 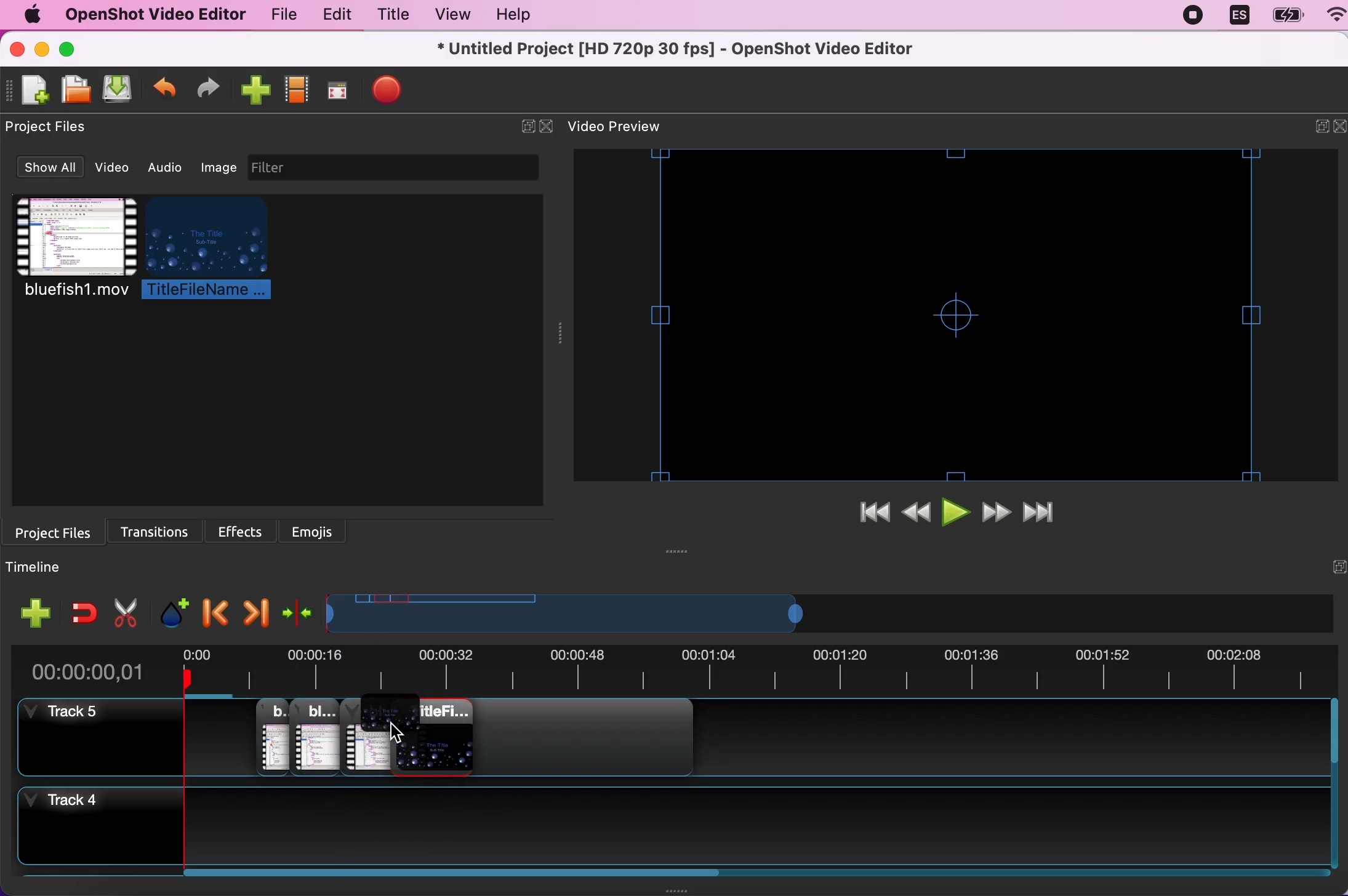 What do you see at coordinates (33, 90) in the screenshot?
I see `new project` at bounding box center [33, 90].